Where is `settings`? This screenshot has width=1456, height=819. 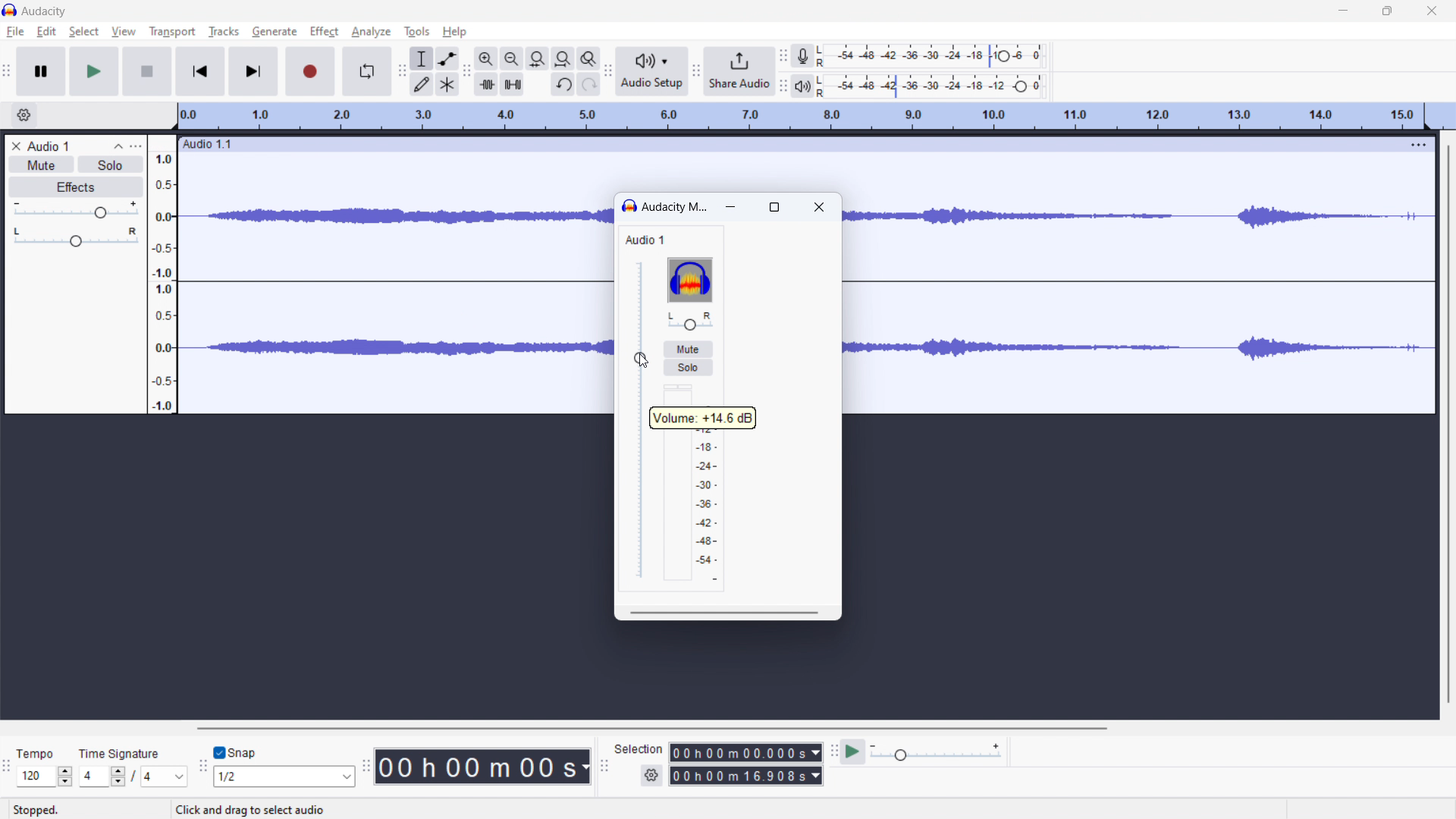
settings is located at coordinates (651, 774).